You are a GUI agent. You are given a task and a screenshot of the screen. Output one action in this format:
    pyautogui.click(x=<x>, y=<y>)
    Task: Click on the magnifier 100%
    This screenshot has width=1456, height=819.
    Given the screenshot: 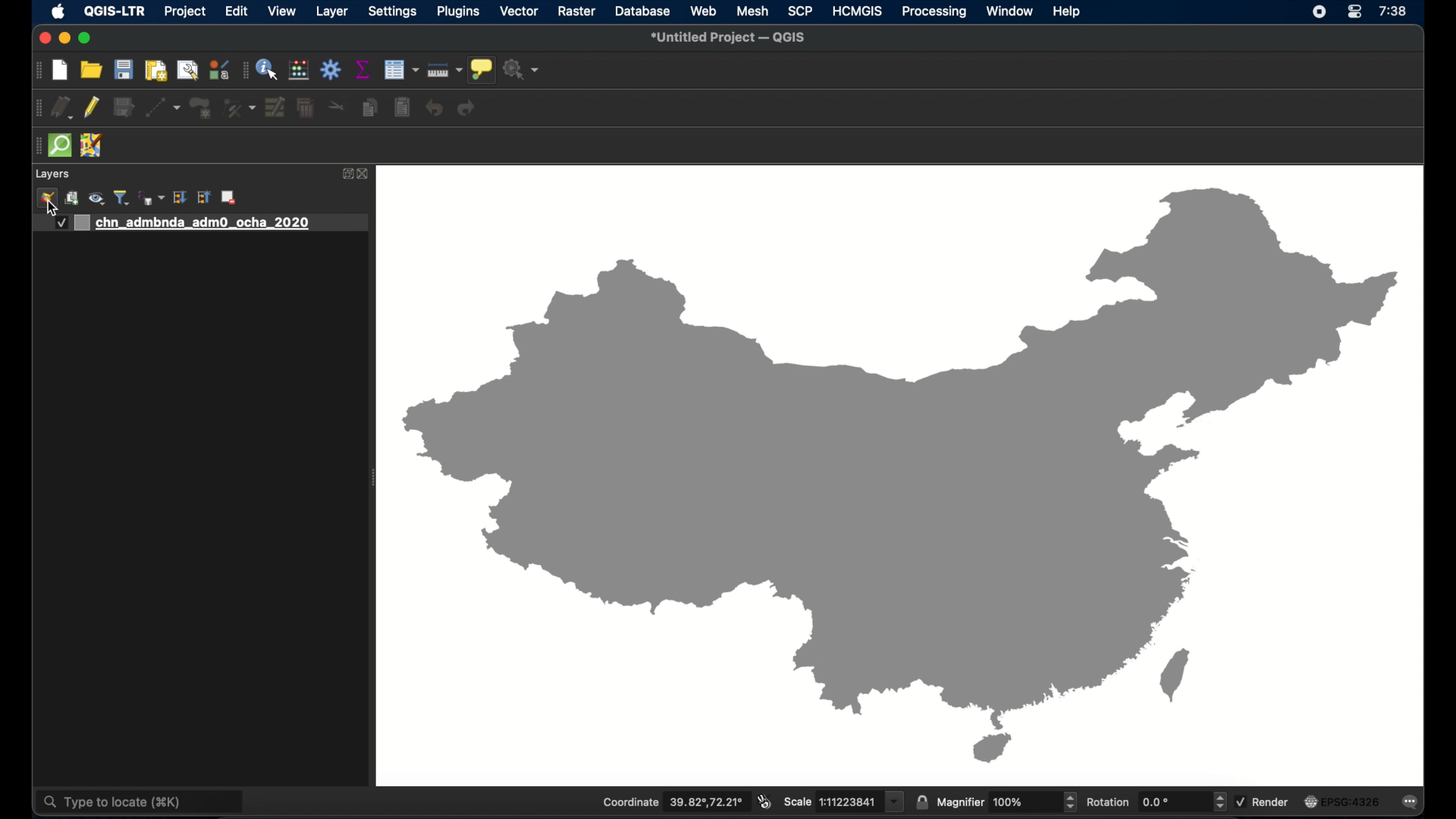 What is the action you would take?
    pyautogui.click(x=997, y=802)
    